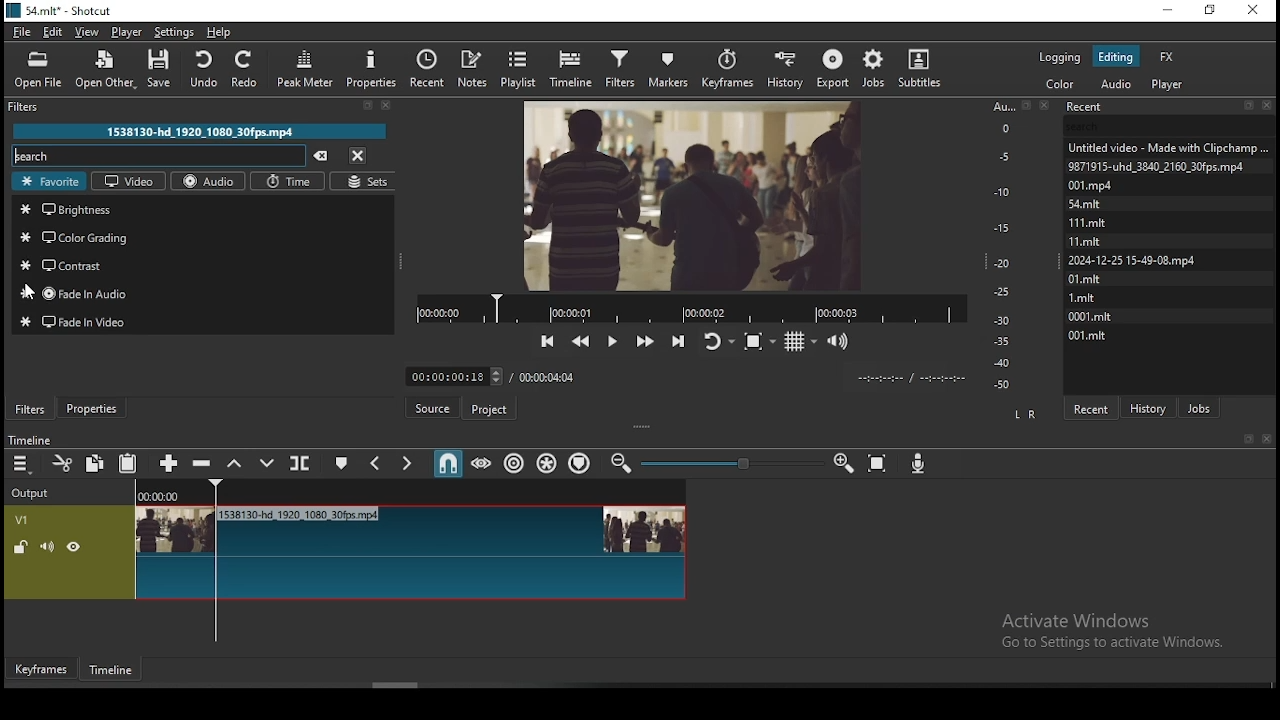 The image size is (1280, 720). Describe the element at coordinates (267, 464) in the screenshot. I see `overwrite` at that location.